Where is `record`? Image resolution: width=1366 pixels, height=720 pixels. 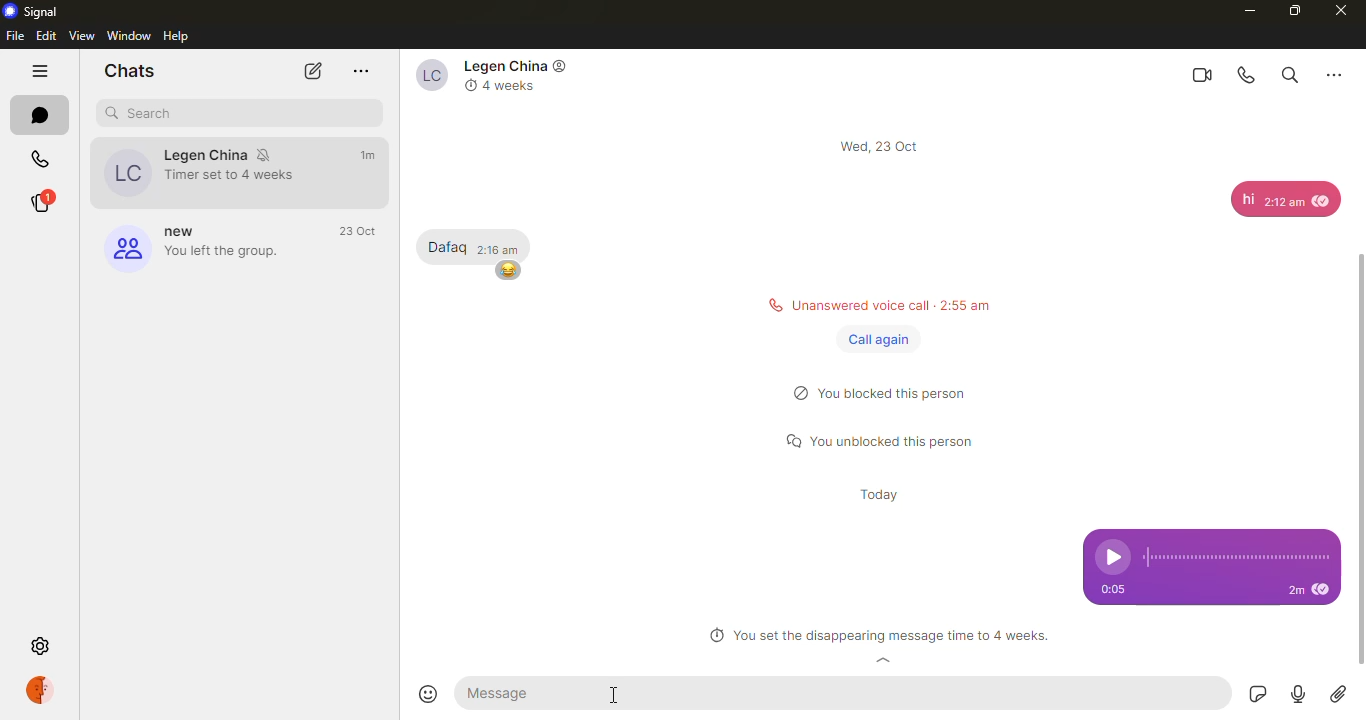
record is located at coordinates (1295, 695).